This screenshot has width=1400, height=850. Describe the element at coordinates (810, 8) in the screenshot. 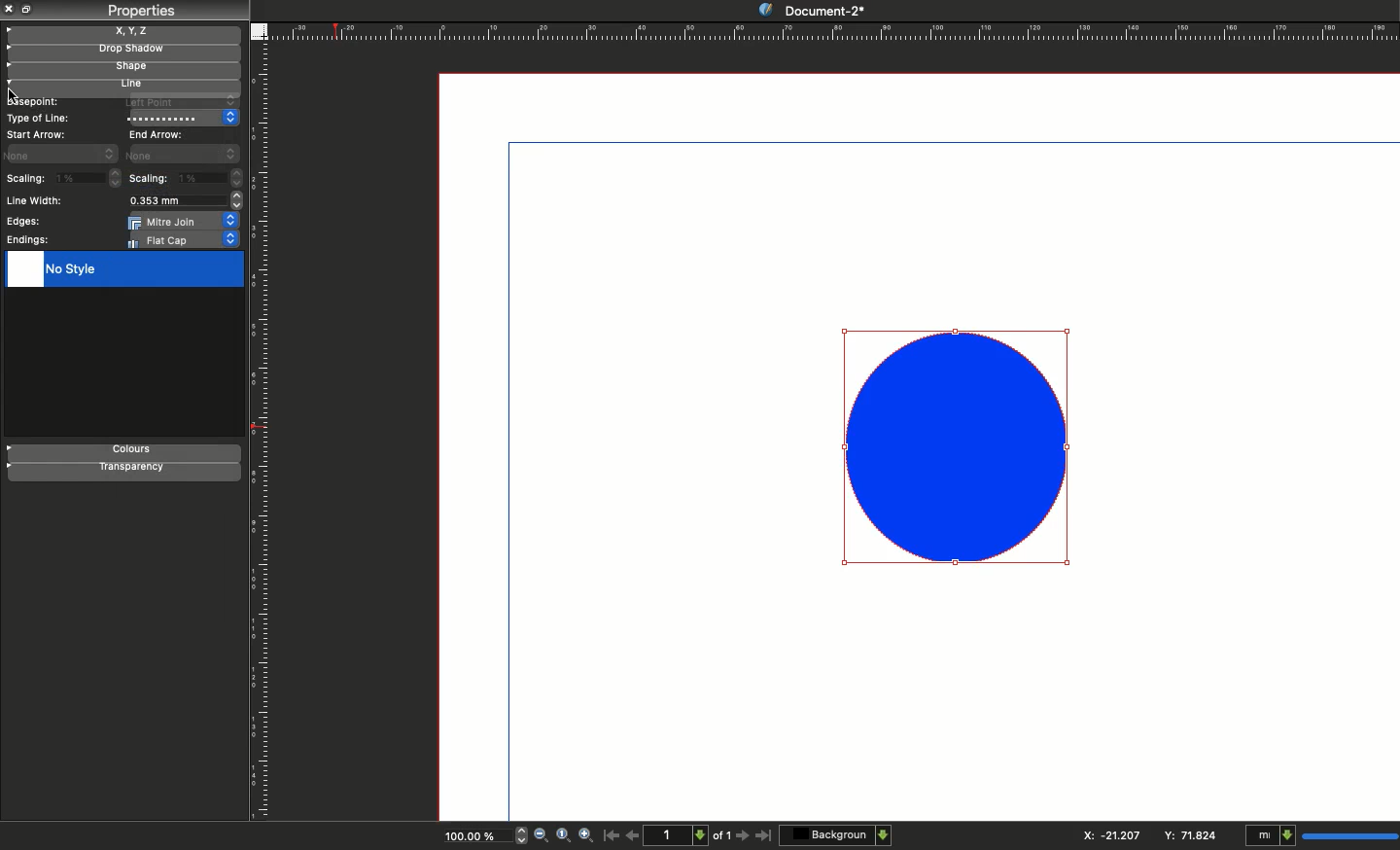

I see `Document-2*` at that location.